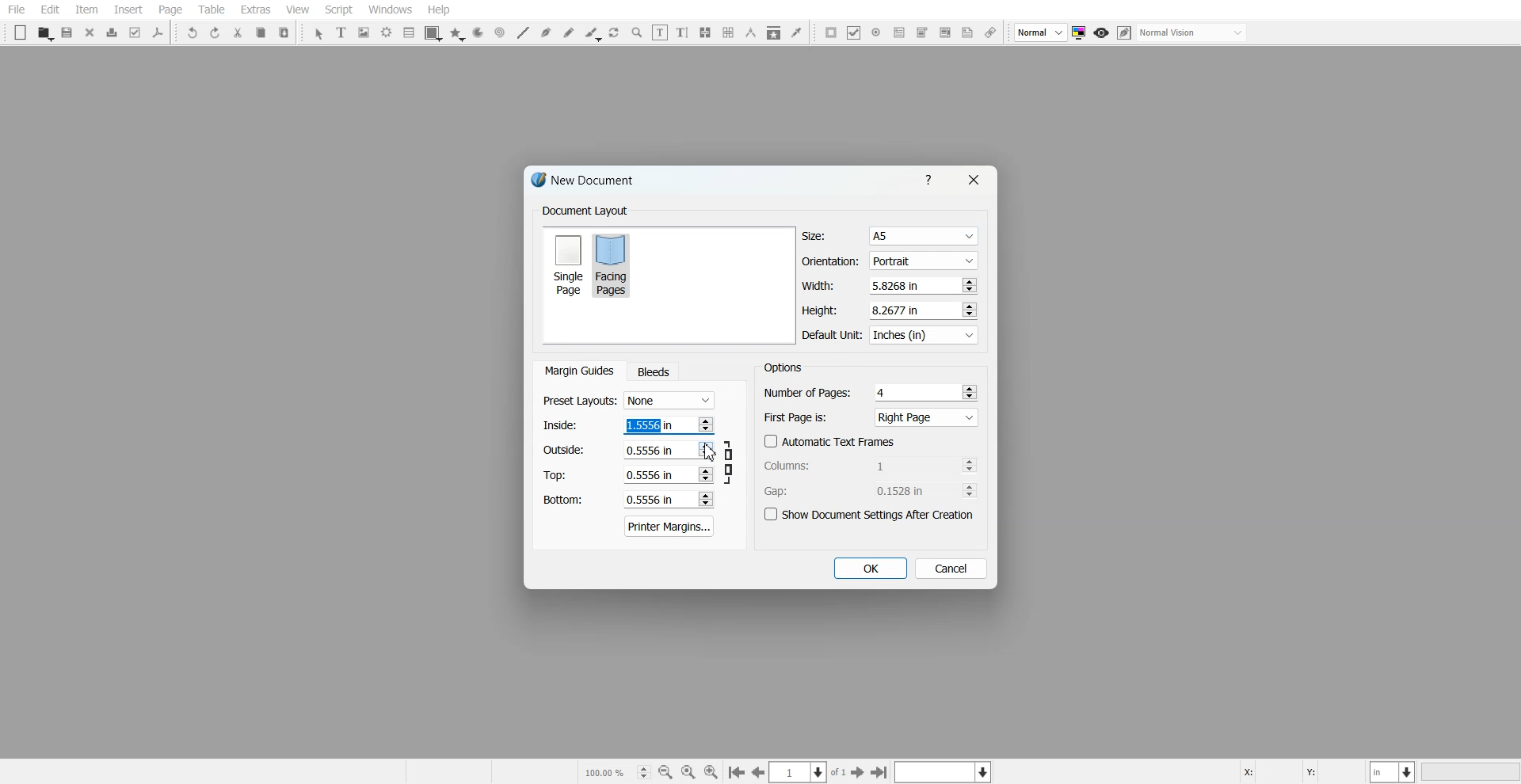  Describe the element at coordinates (665, 772) in the screenshot. I see `Zoom Out` at that location.